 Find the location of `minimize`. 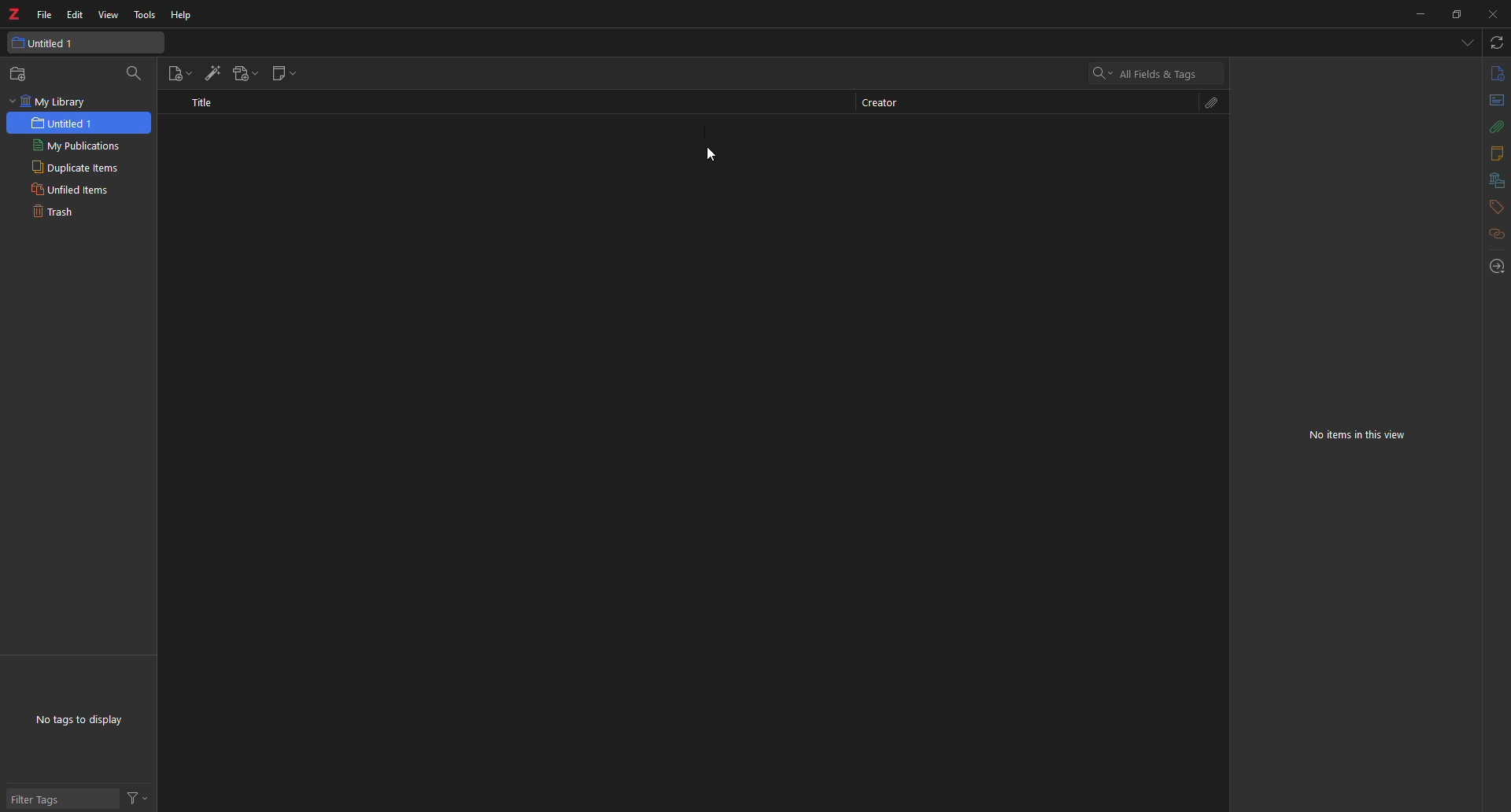

minimize is located at coordinates (1415, 16).